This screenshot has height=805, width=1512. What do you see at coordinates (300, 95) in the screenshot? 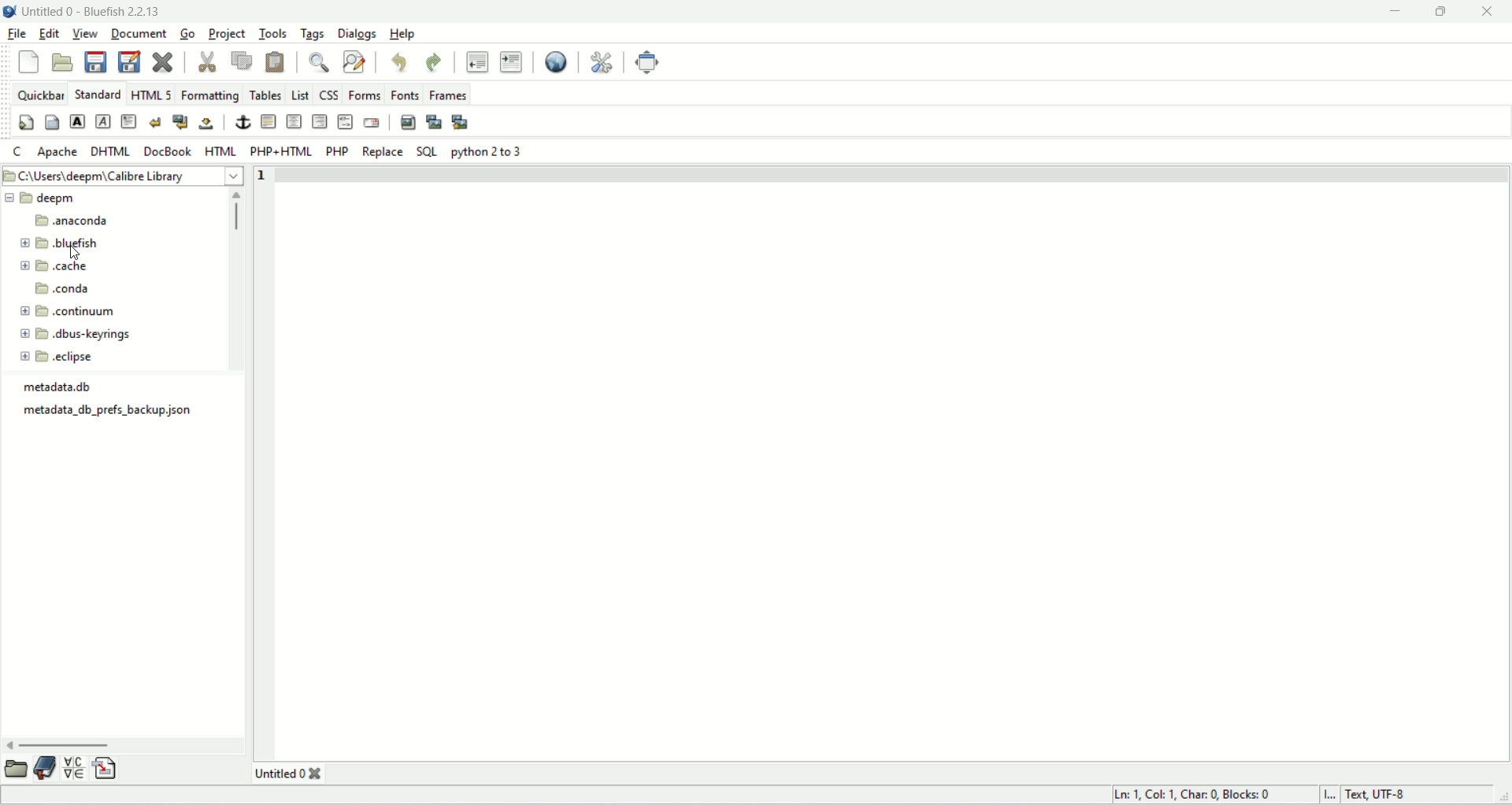
I see `List` at bounding box center [300, 95].